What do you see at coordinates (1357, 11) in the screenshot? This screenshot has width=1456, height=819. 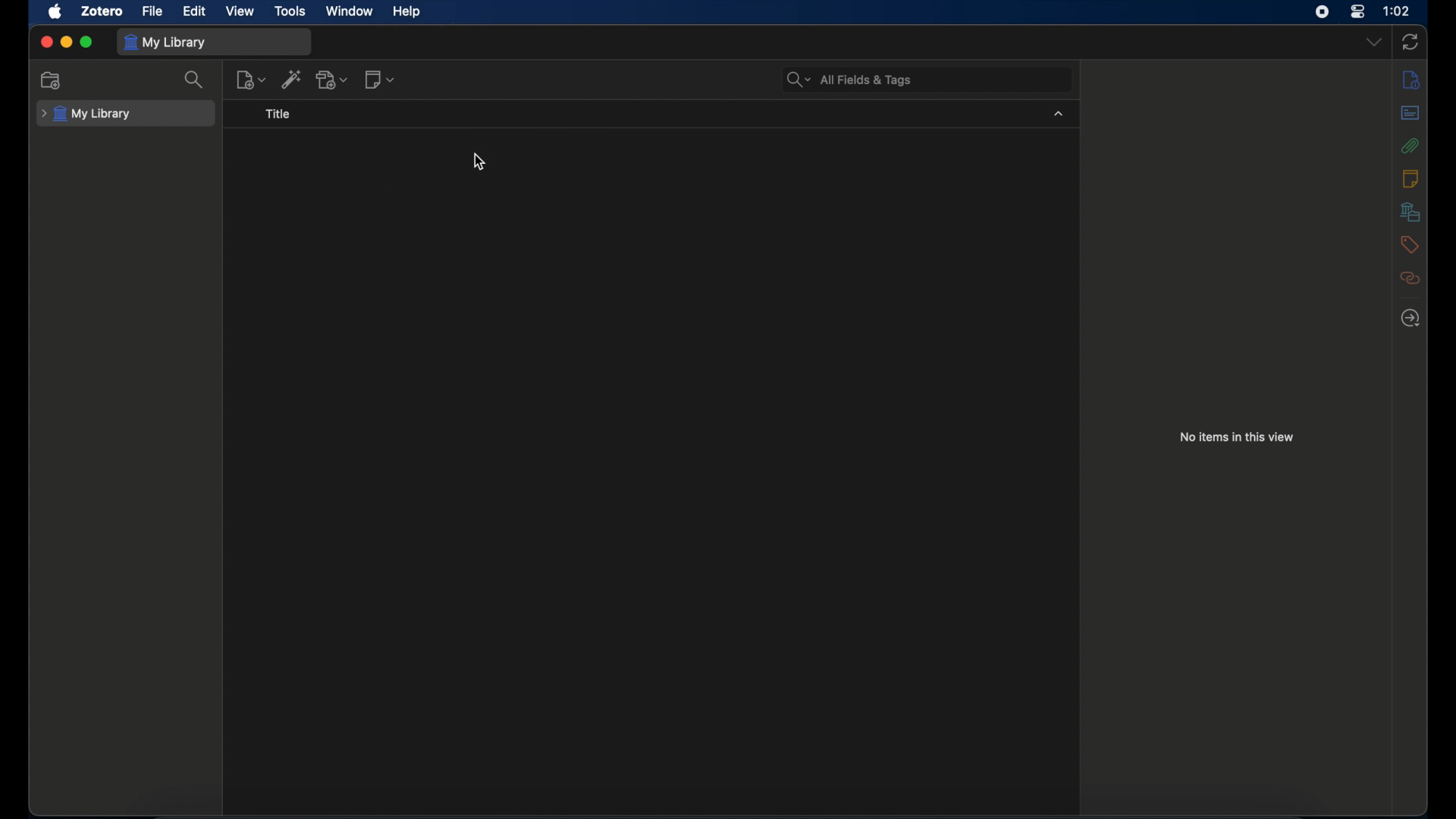 I see `control center` at bounding box center [1357, 11].